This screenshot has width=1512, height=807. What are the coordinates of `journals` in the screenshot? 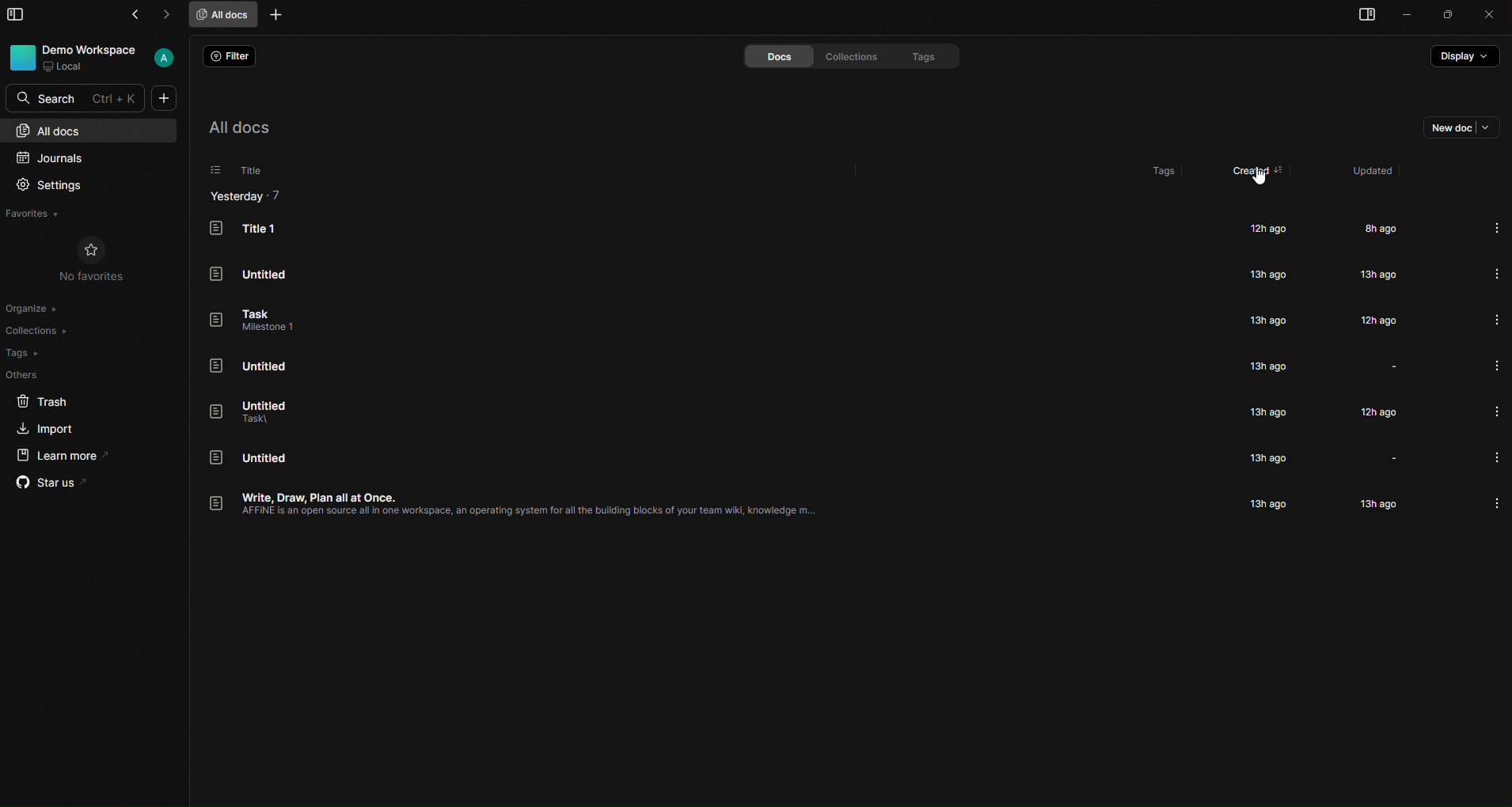 It's located at (56, 157).